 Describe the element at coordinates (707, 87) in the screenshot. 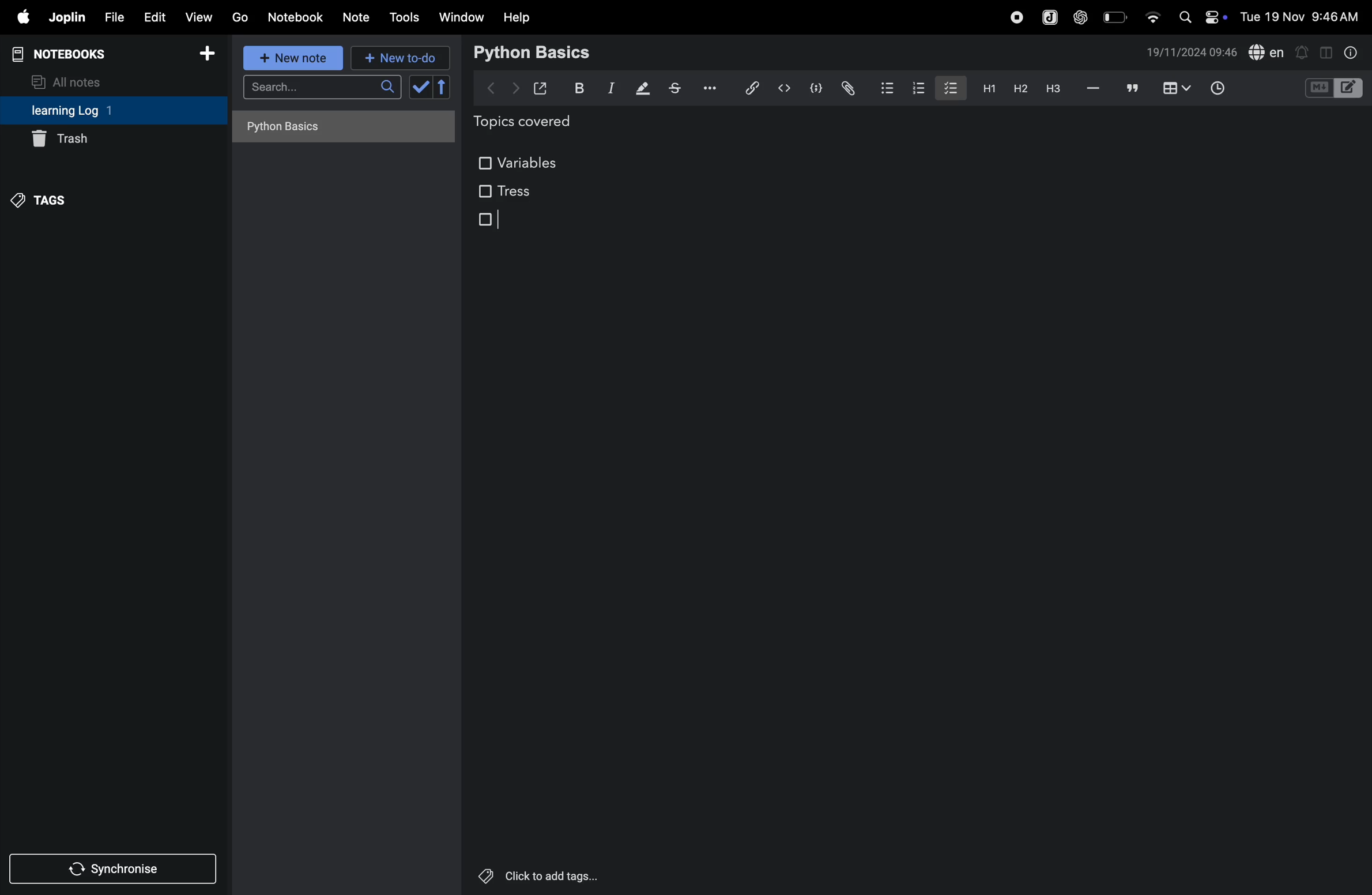

I see `options` at that location.